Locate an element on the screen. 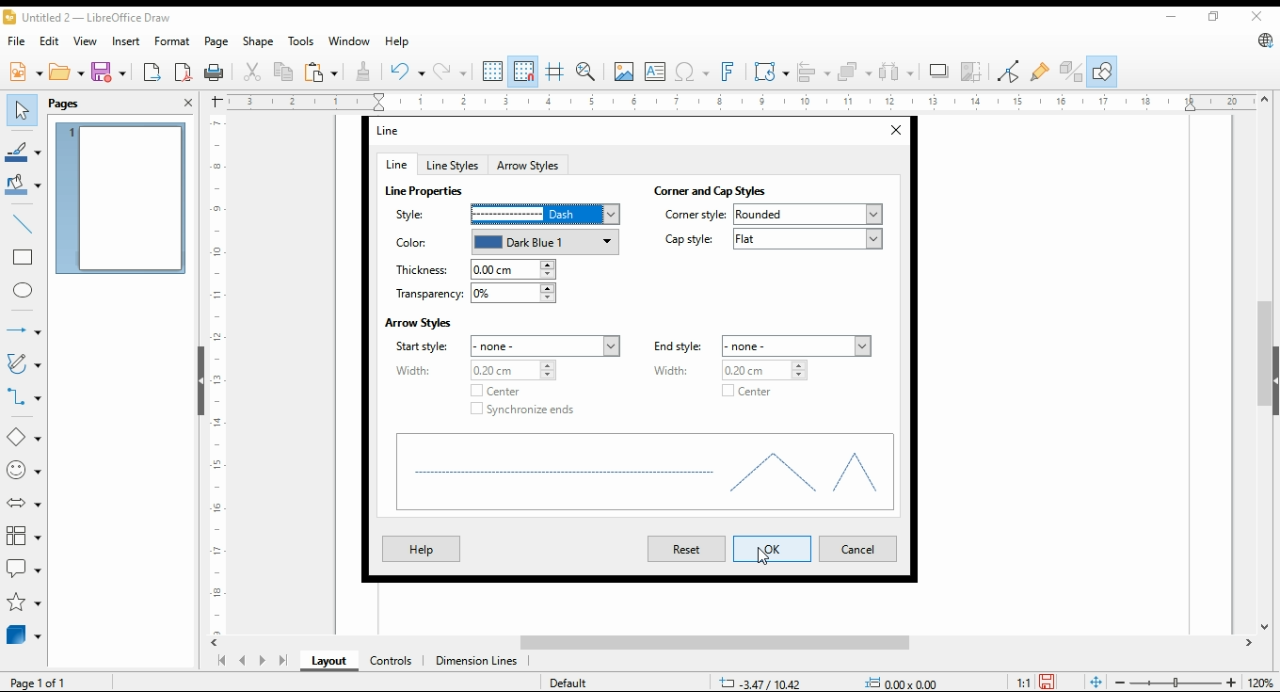  arrow styles is located at coordinates (529, 164).